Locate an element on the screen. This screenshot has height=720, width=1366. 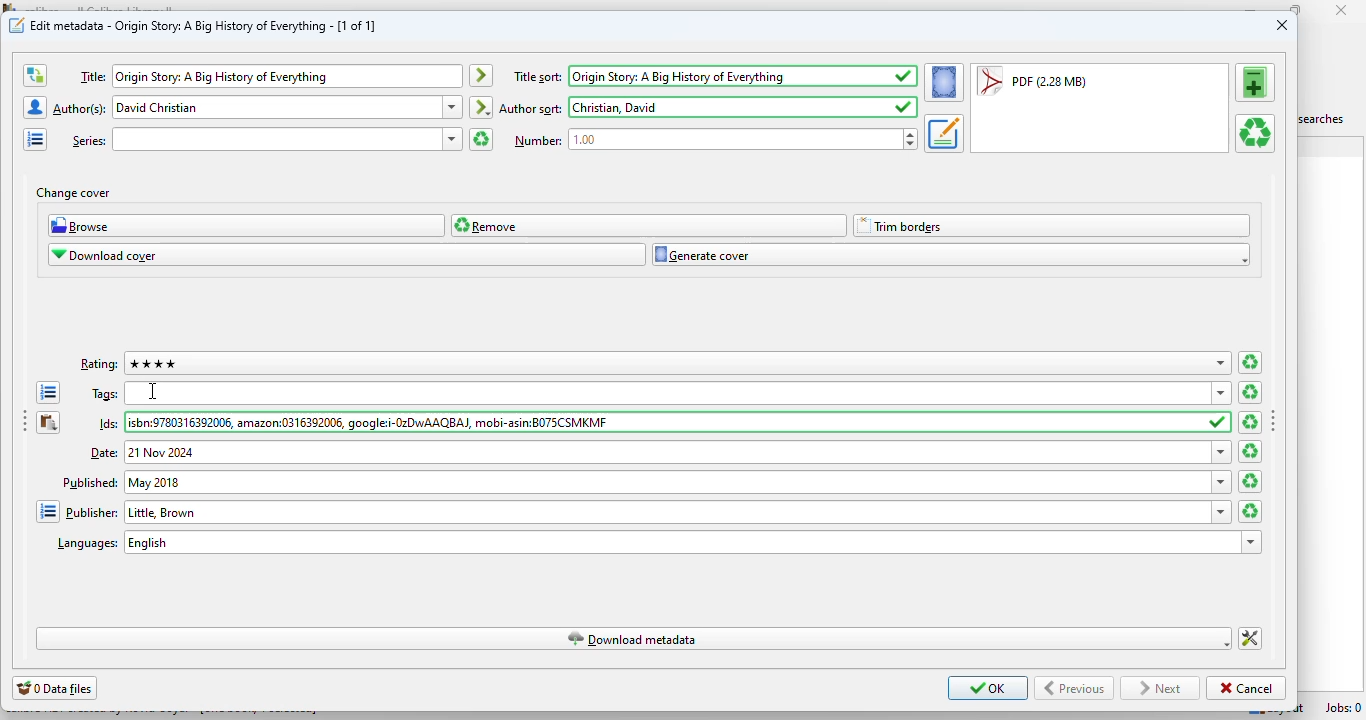
swap the author and title is located at coordinates (34, 76).